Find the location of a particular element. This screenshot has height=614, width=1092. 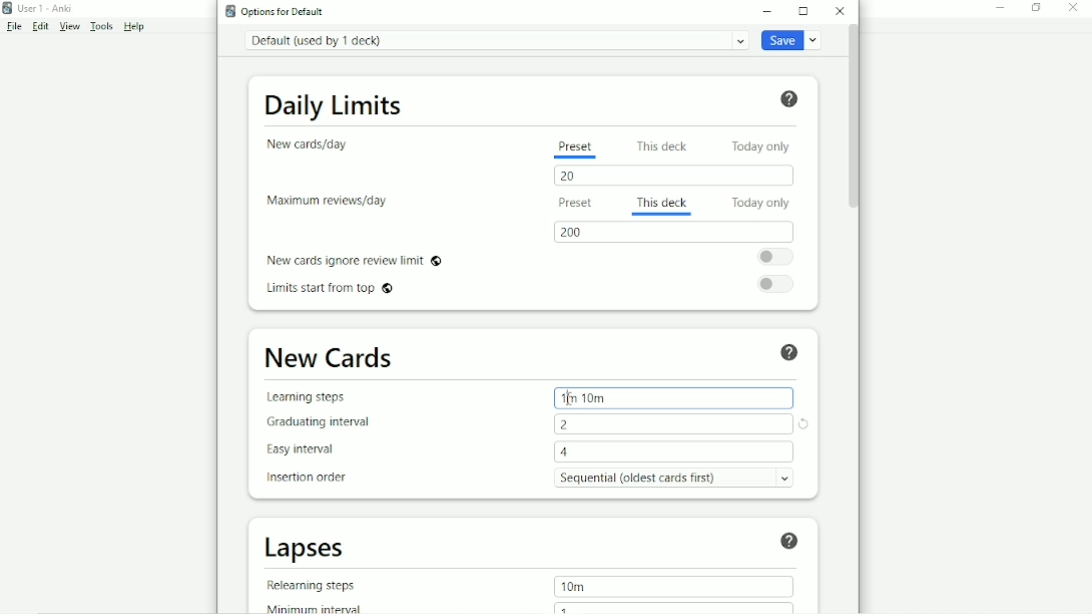

Today only is located at coordinates (760, 202).